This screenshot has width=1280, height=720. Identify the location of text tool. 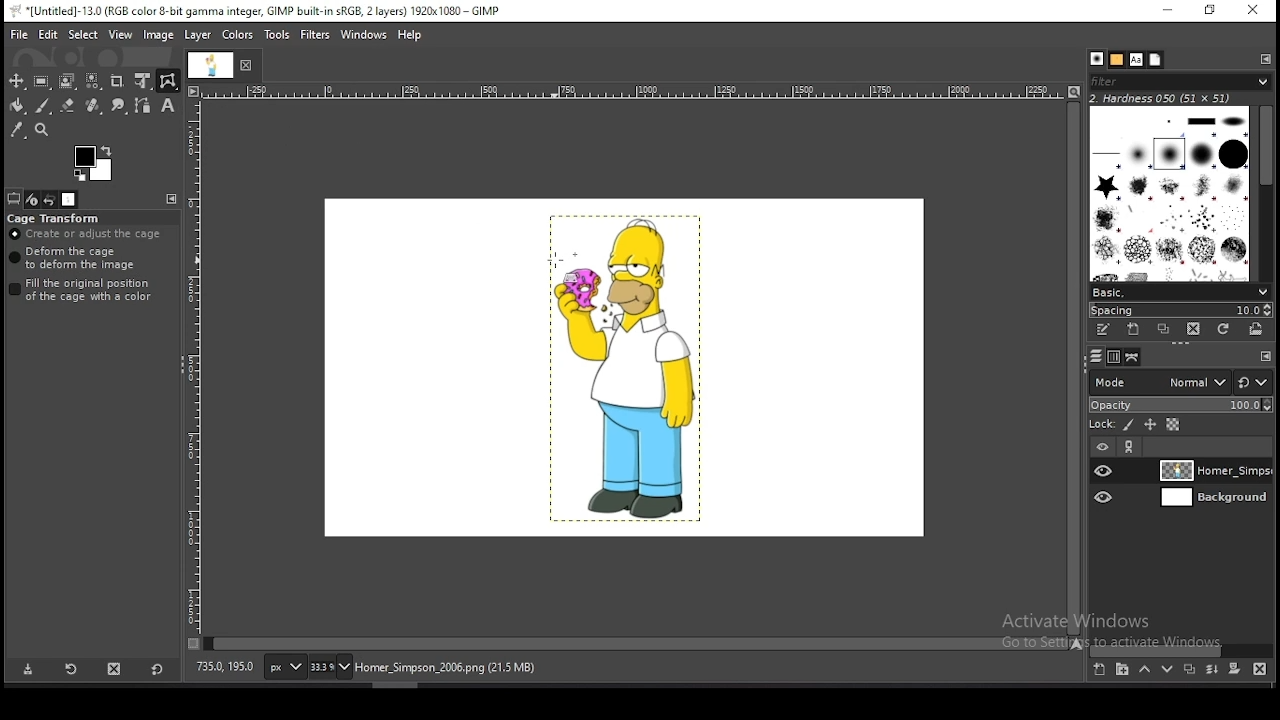
(167, 106).